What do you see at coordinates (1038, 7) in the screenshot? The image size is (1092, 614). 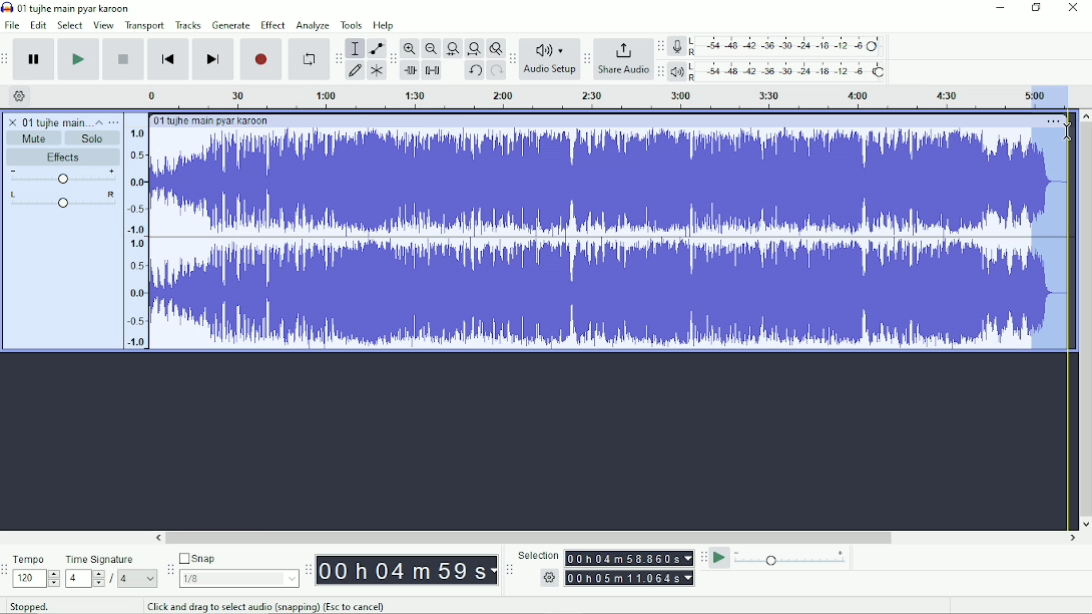 I see `Restore down` at bounding box center [1038, 7].